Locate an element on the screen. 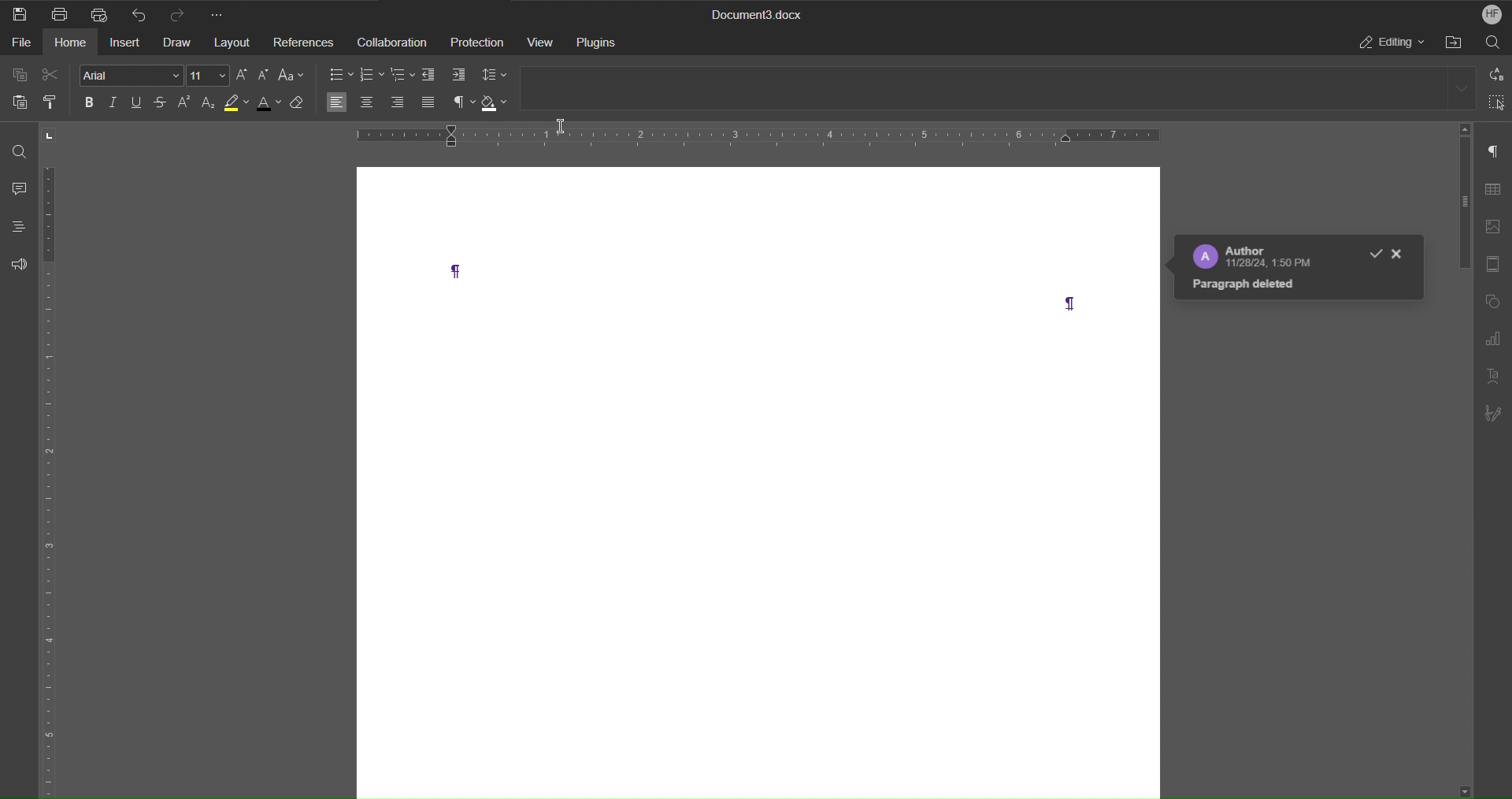 This screenshot has height=799, width=1512. References is located at coordinates (306, 42).